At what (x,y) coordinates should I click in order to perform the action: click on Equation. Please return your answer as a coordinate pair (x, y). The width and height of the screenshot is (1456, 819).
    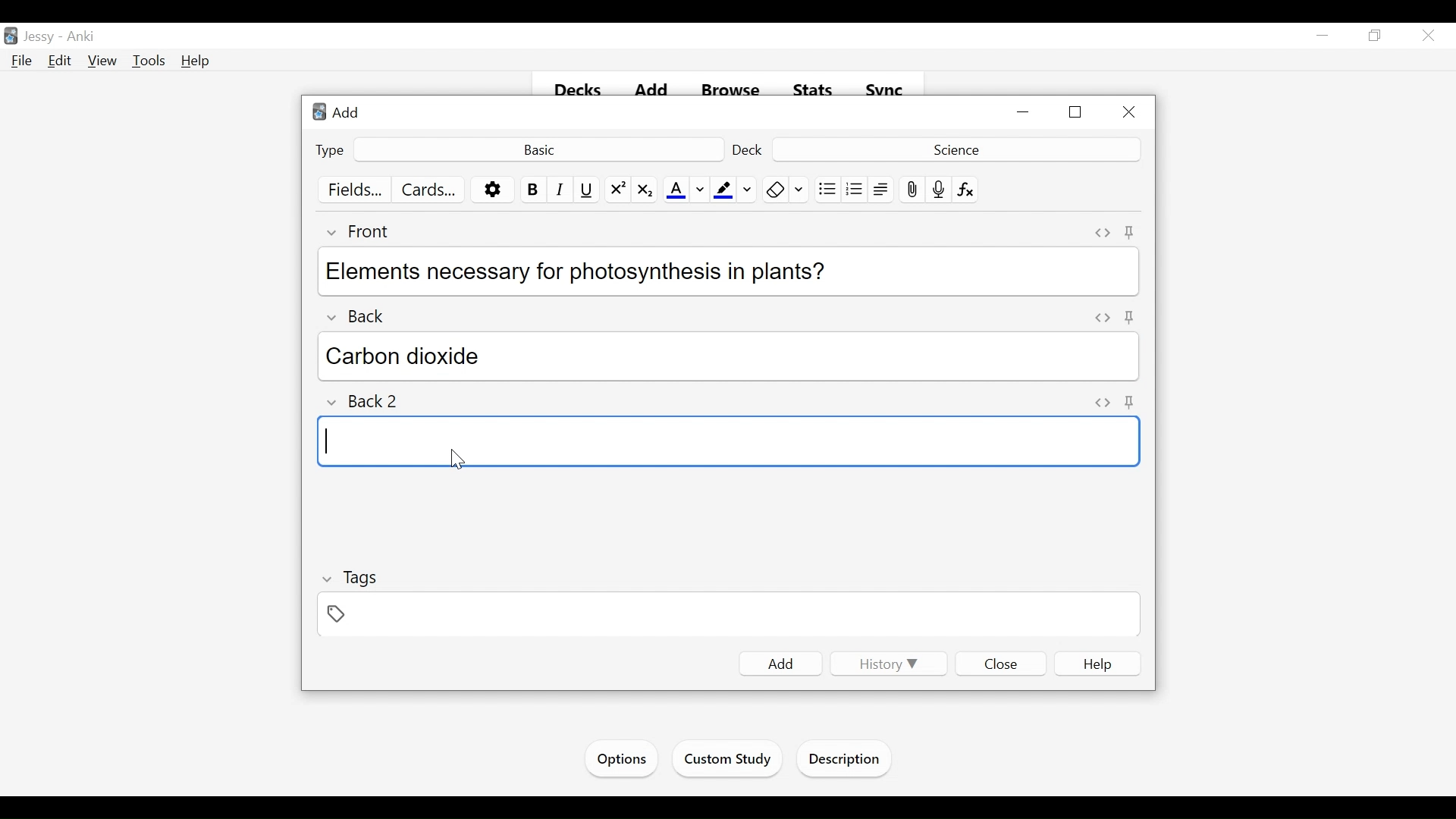
    Looking at the image, I should click on (966, 190).